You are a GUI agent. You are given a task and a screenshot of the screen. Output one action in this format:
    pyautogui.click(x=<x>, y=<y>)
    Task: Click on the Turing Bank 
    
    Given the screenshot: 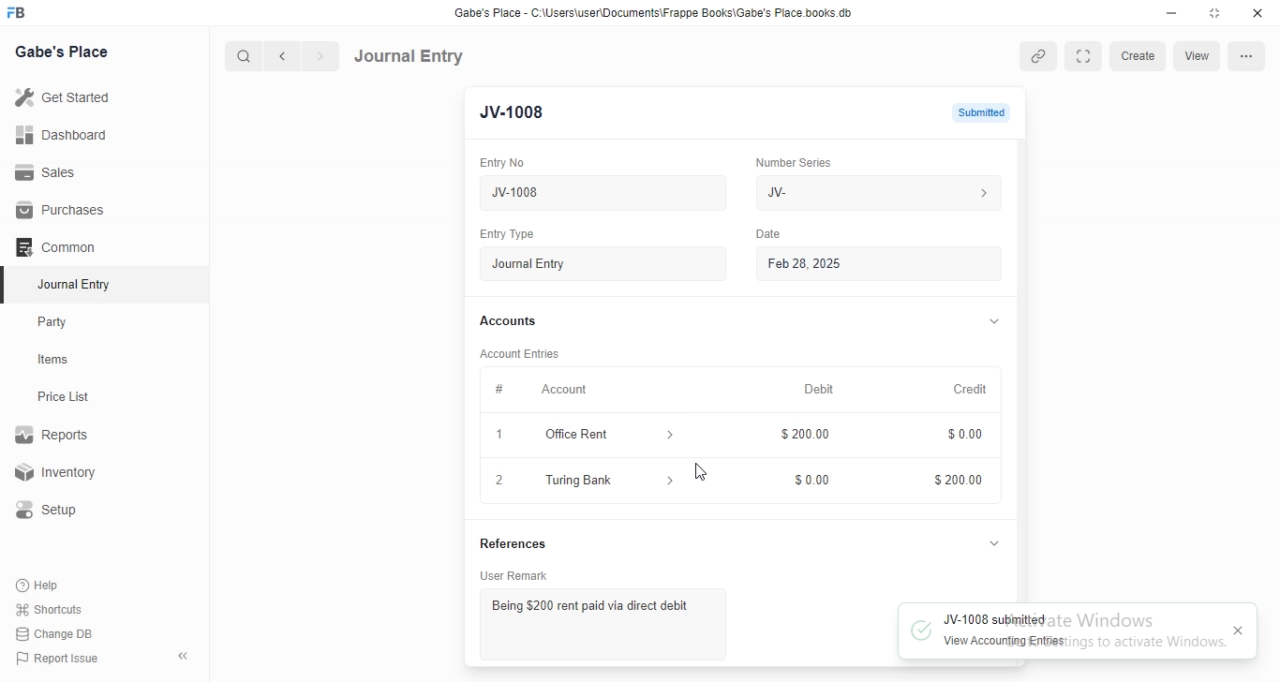 What is the action you would take?
    pyautogui.click(x=603, y=481)
    